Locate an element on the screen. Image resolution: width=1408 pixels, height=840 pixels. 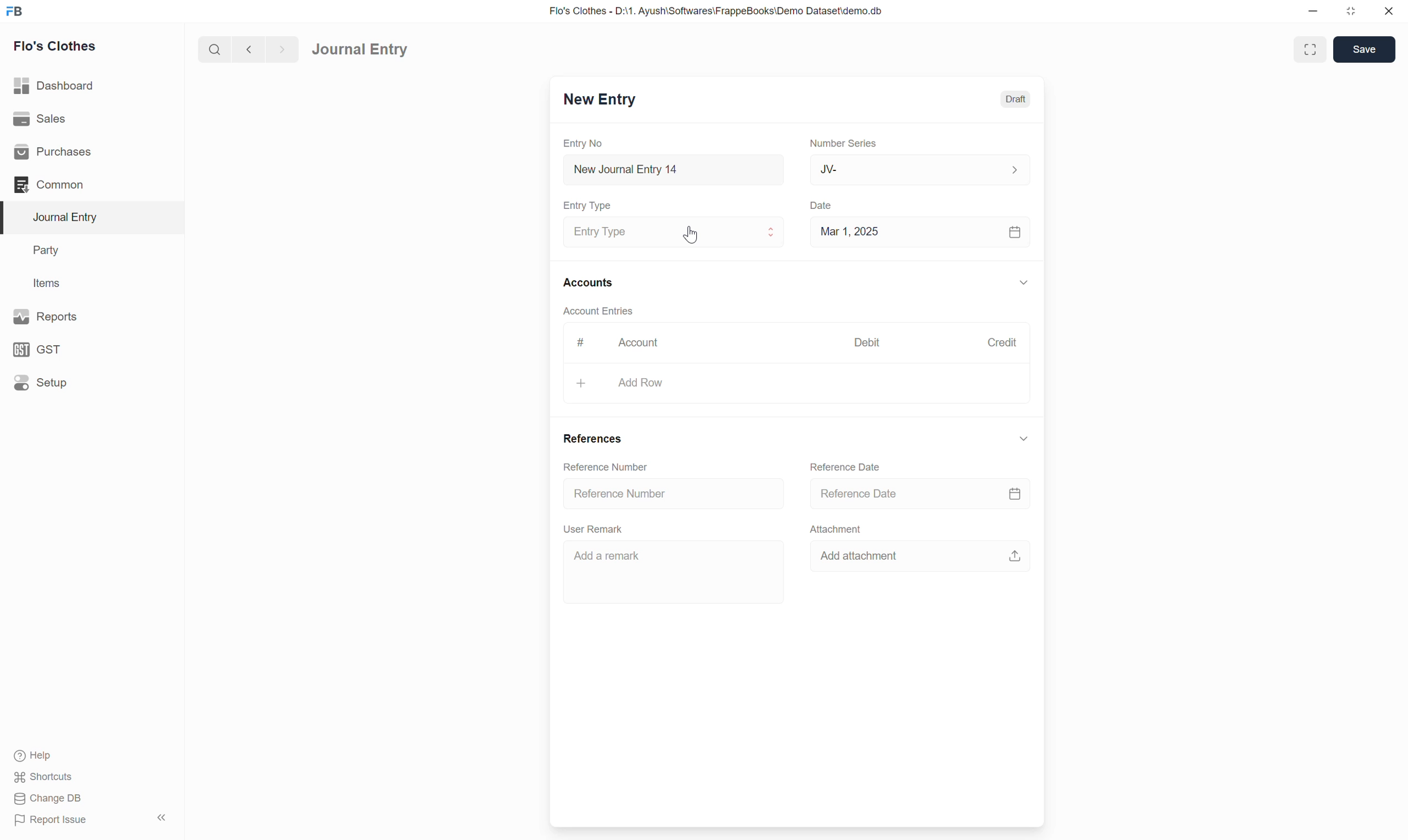
Draft is located at coordinates (1017, 98).